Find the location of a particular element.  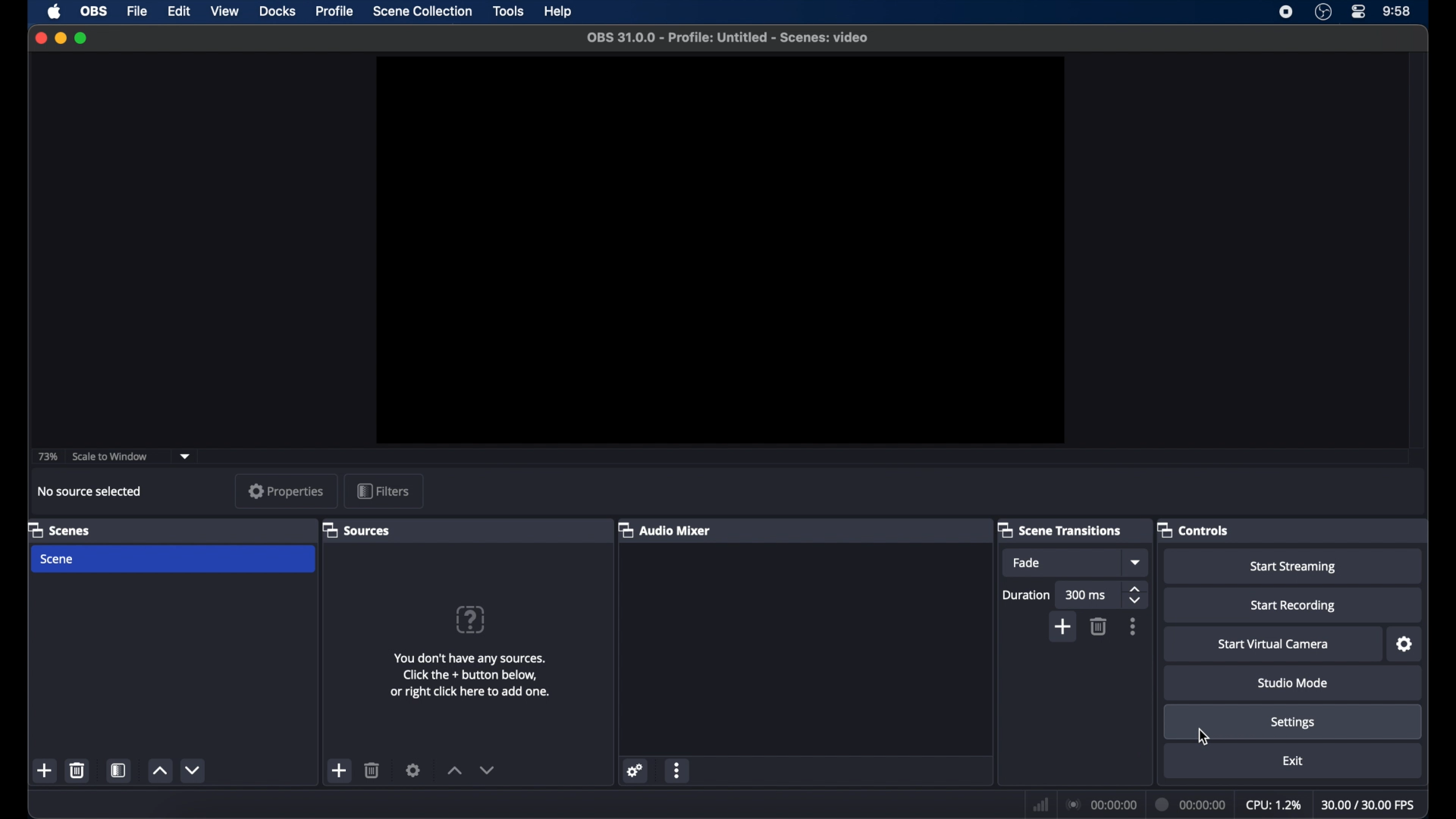

scene collection is located at coordinates (422, 12).